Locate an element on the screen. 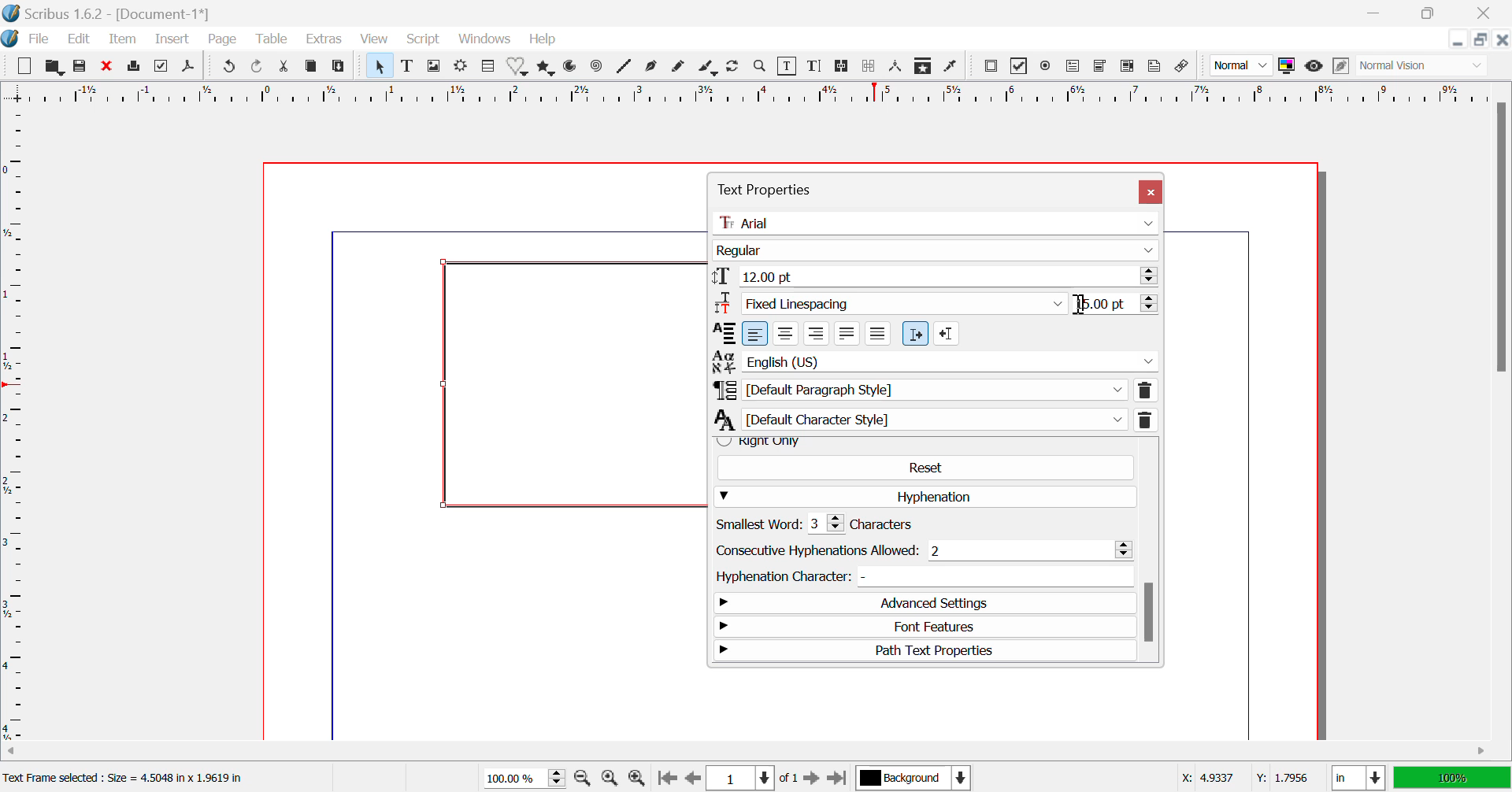  Pdf List box is located at coordinates (1125, 67).